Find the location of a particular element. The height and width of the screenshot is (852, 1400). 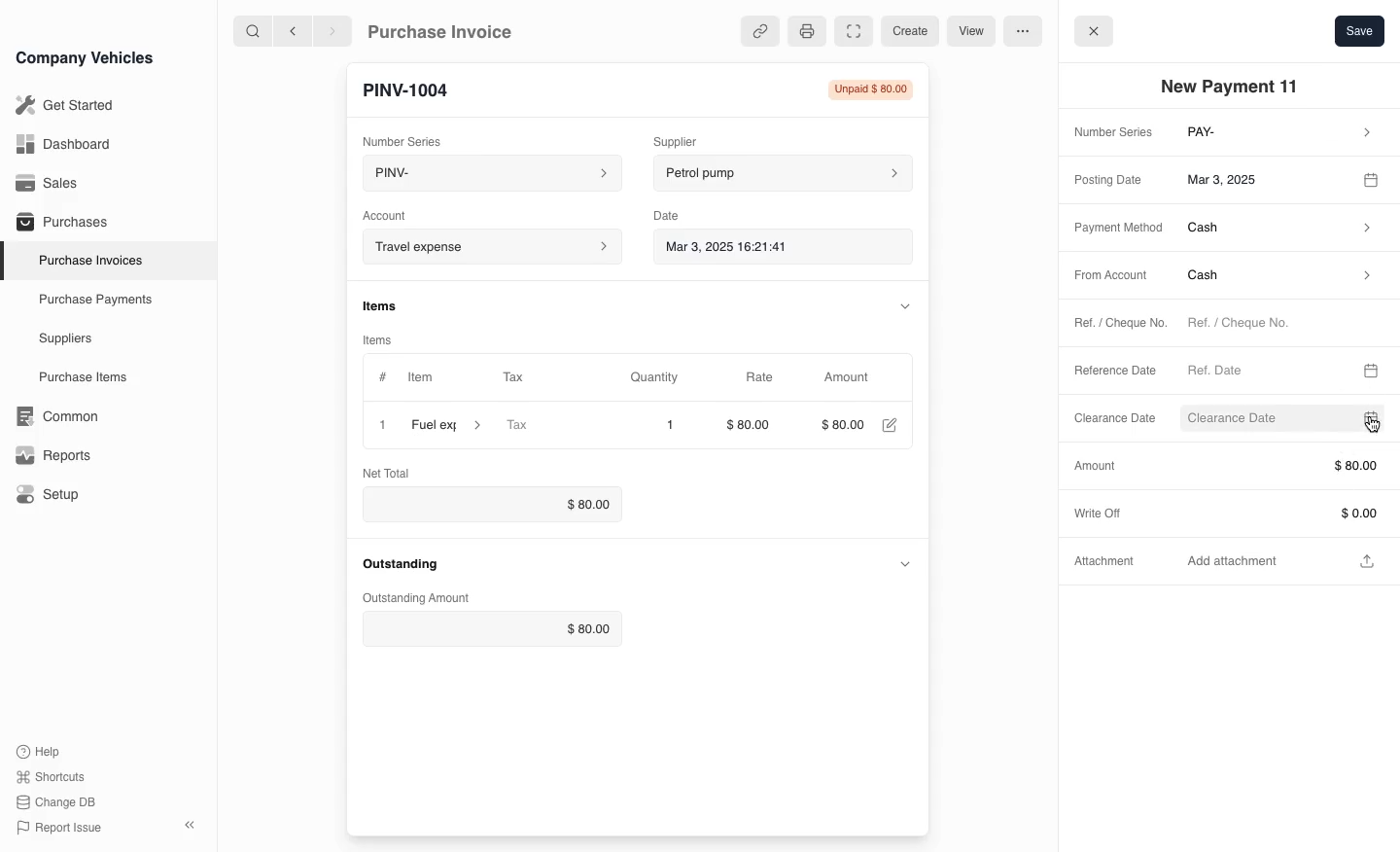

Shortcuts is located at coordinates (52, 778).